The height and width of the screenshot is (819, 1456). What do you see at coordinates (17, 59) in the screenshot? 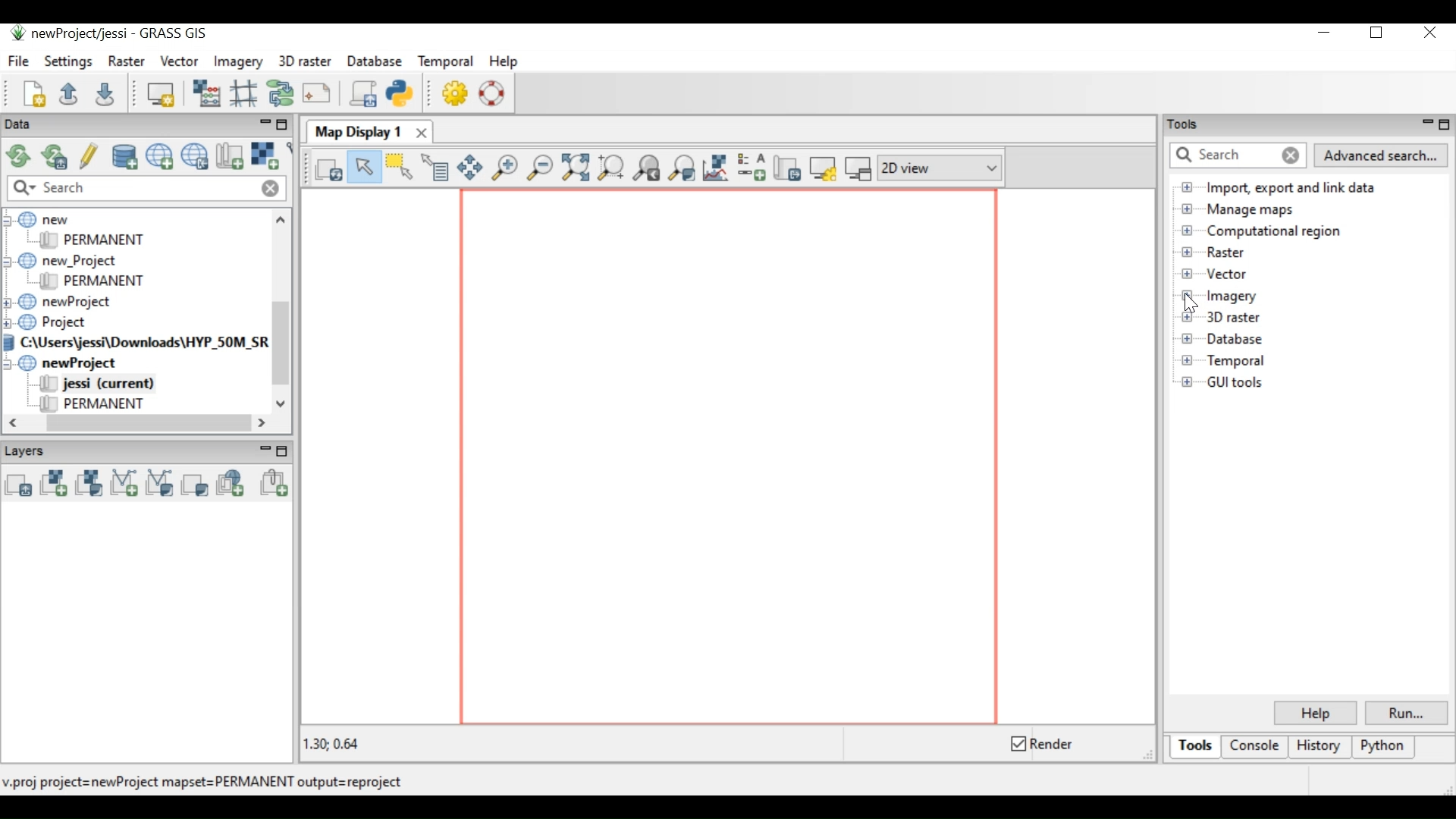
I see `File` at bounding box center [17, 59].